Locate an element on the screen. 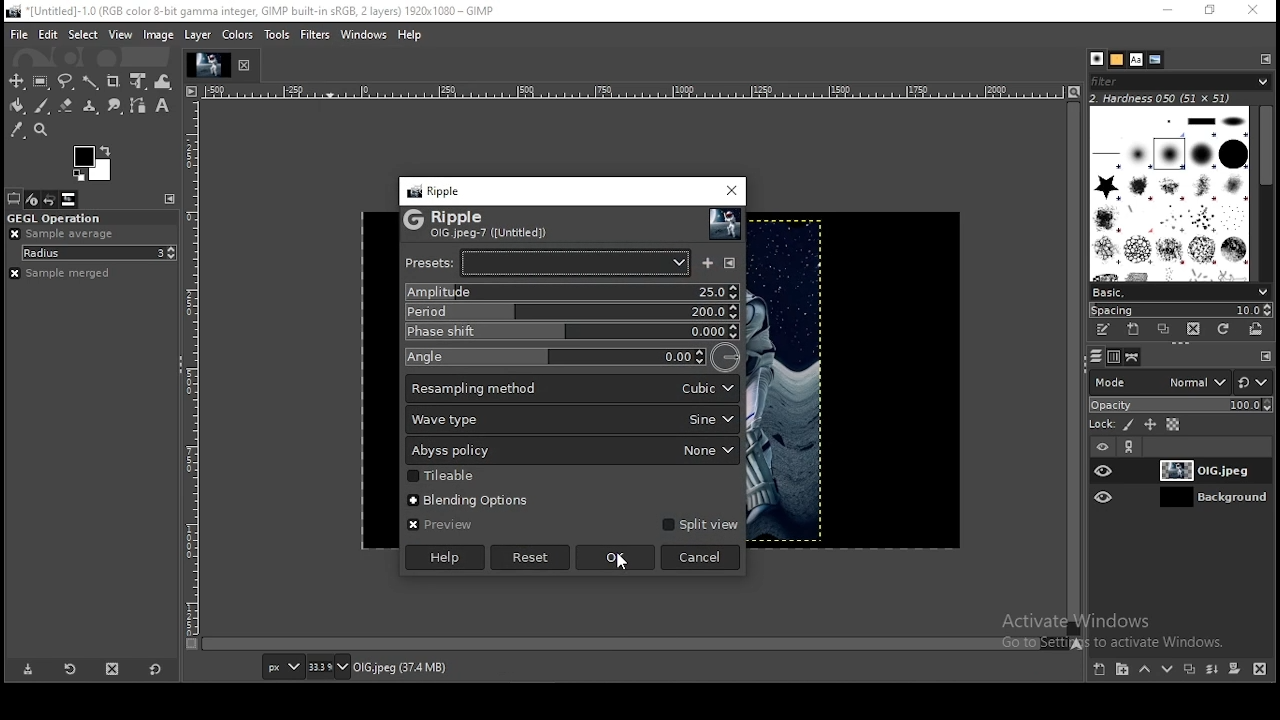 This screenshot has height=720, width=1280. pick a presets is located at coordinates (547, 262).